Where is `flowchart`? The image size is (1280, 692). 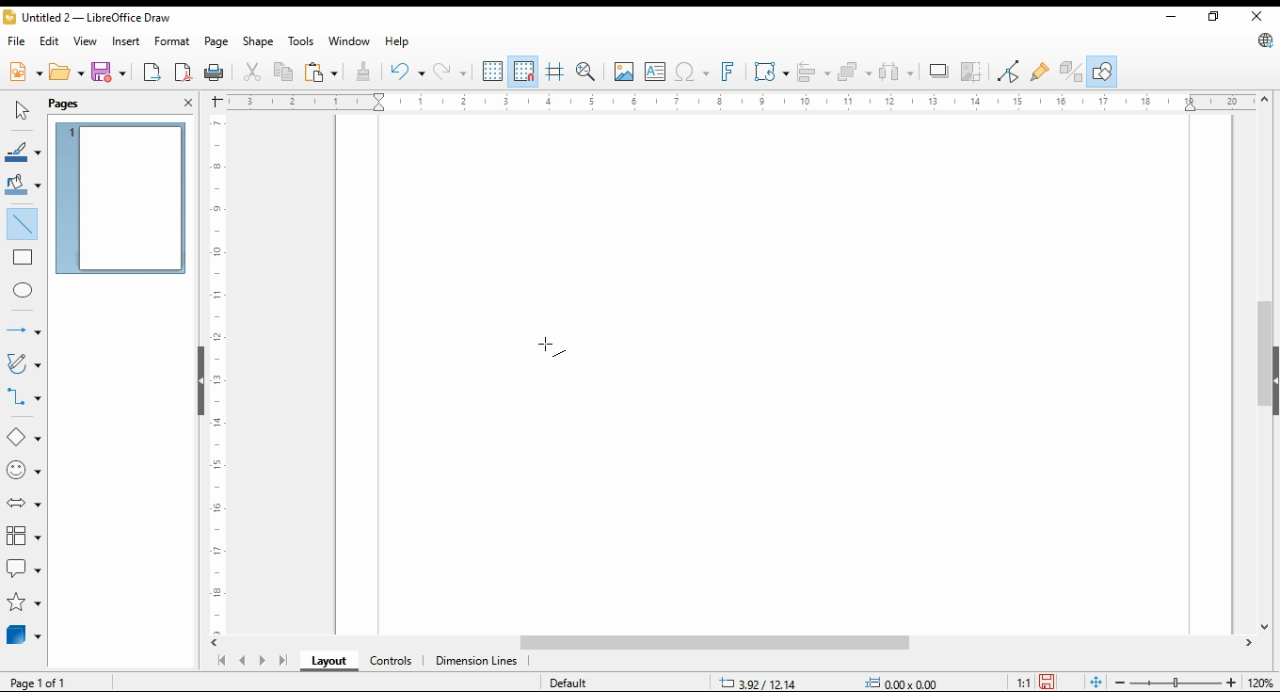
flowchart is located at coordinates (25, 536).